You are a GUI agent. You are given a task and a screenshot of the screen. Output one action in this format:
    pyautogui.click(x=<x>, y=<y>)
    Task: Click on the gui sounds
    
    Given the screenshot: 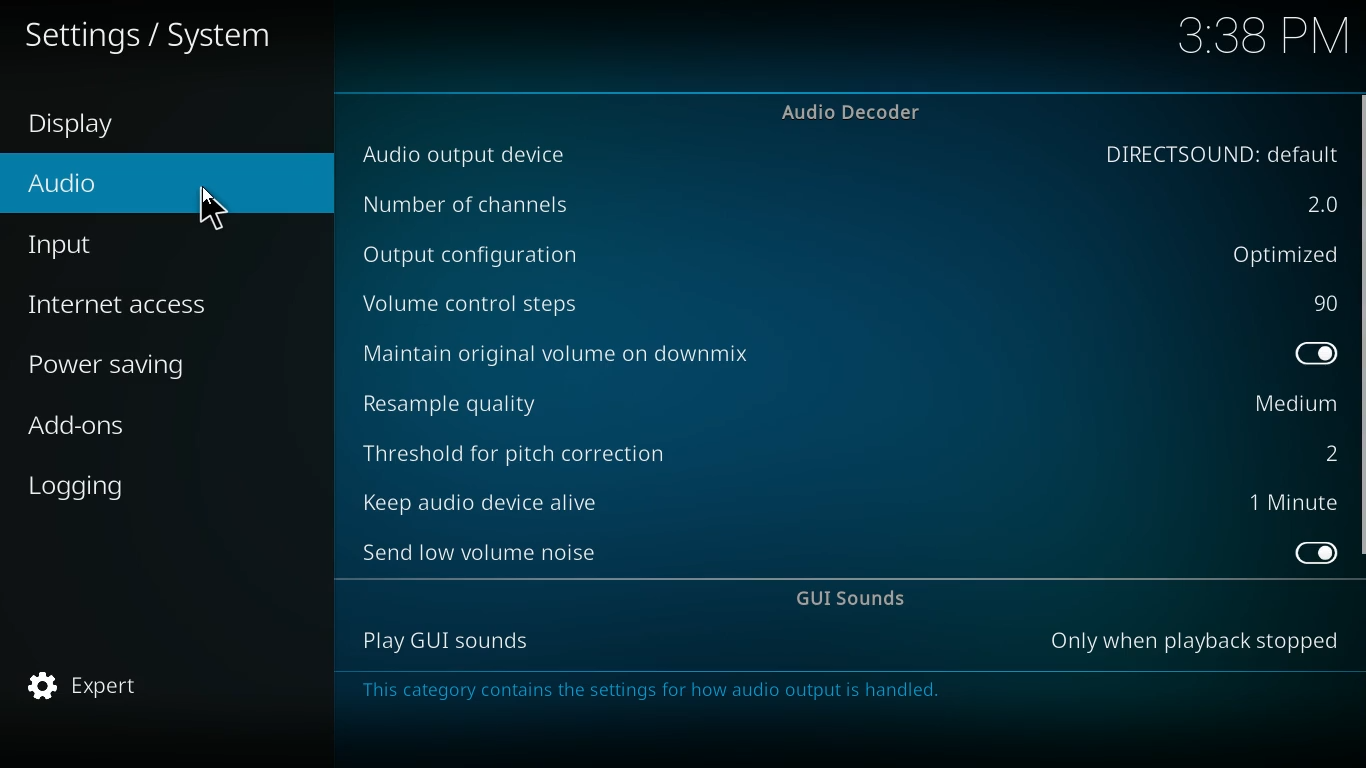 What is the action you would take?
    pyautogui.click(x=859, y=600)
    